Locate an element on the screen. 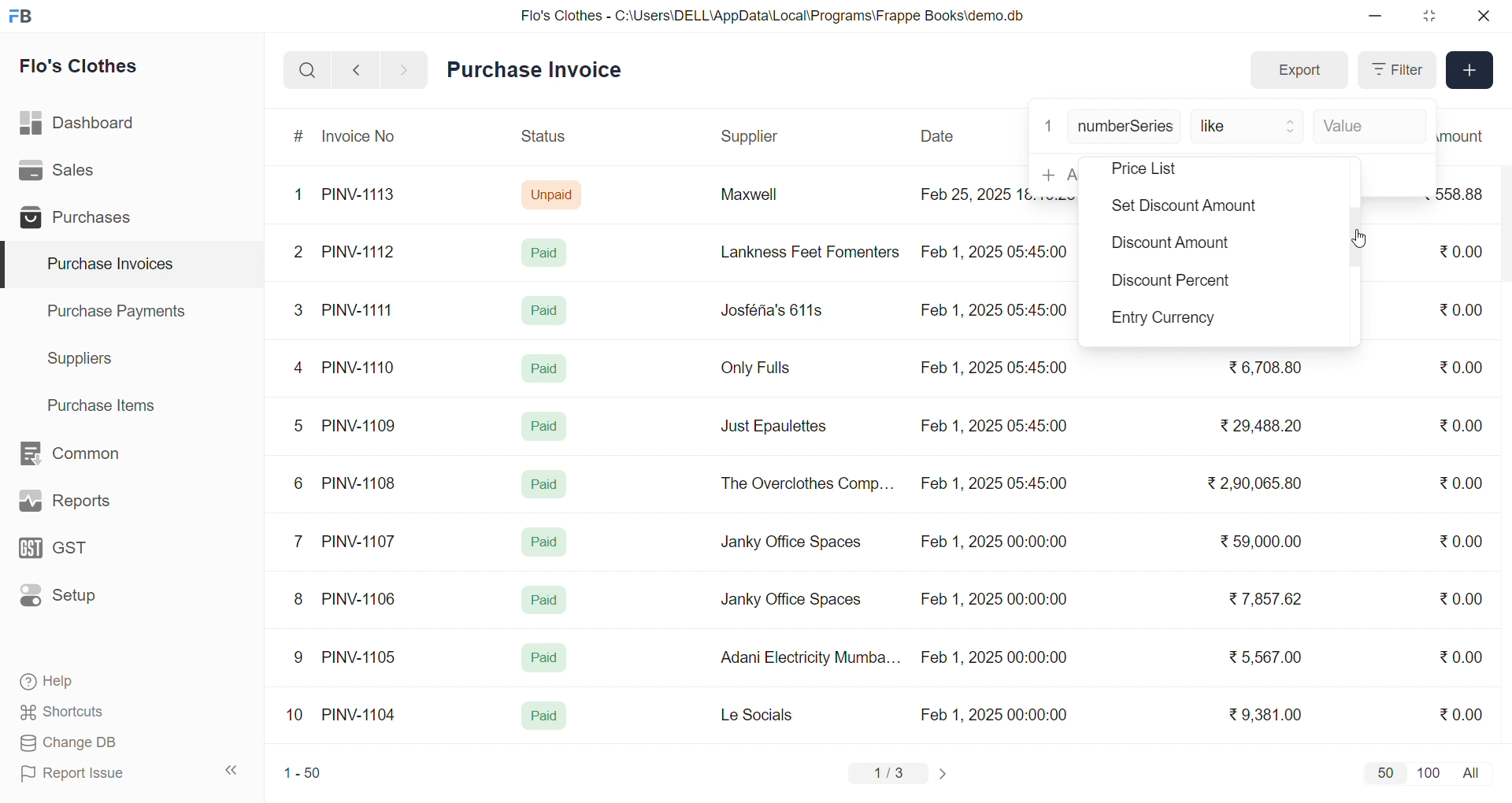  3 is located at coordinates (298, 309).